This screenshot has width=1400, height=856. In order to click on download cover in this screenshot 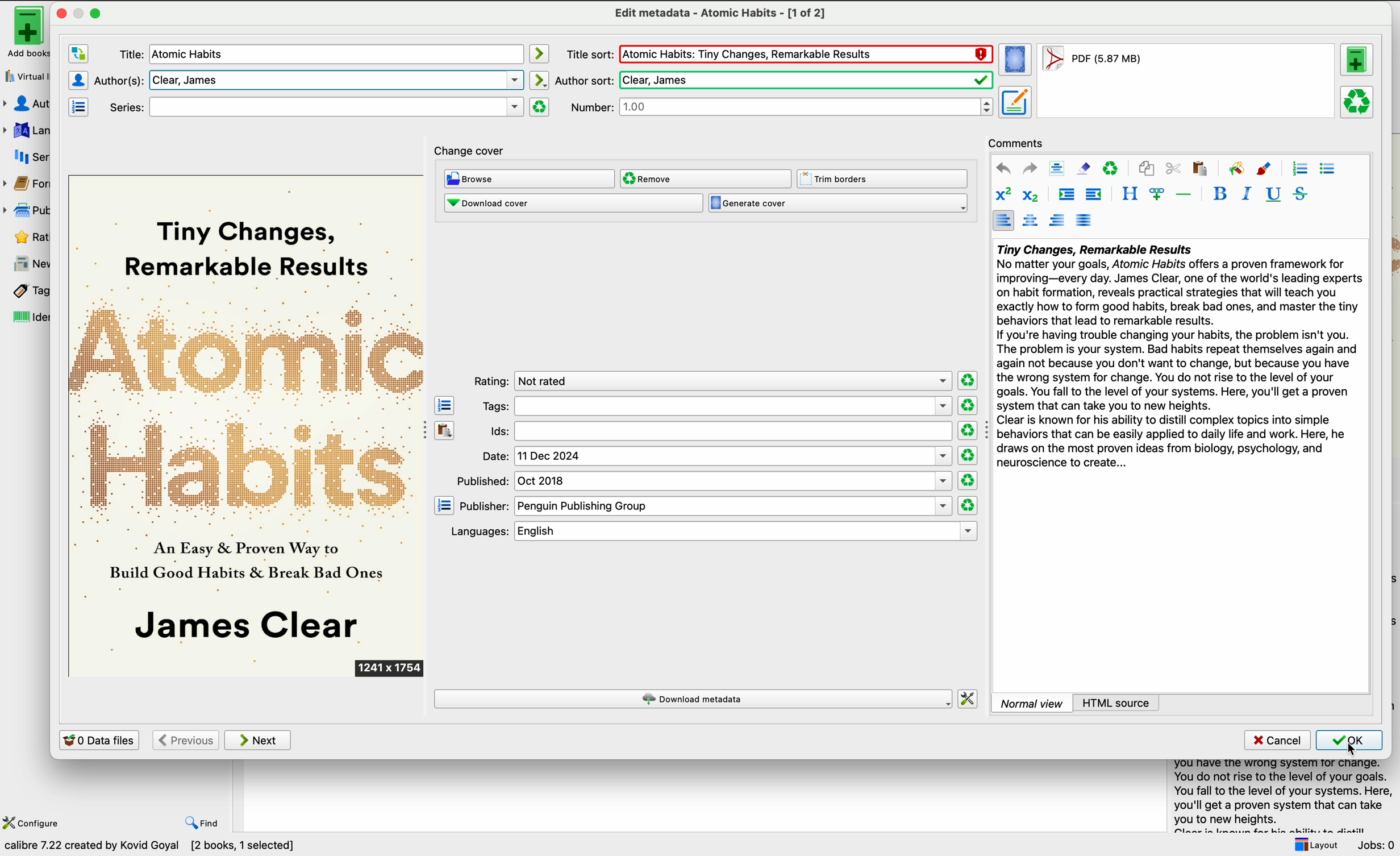, I will do `click(573, 204)`.